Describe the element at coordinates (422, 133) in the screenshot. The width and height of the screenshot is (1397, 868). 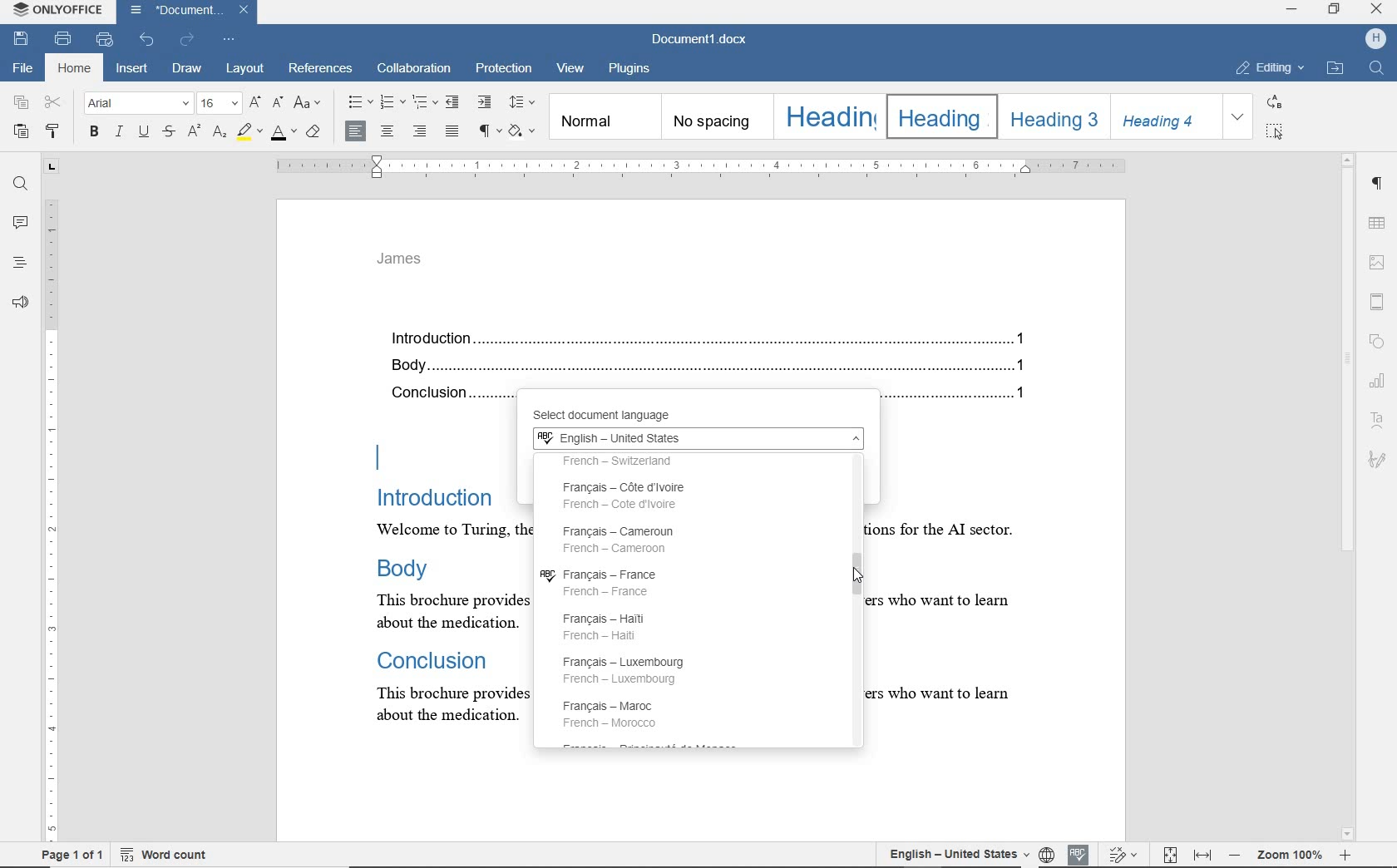
I see `align right` at that location.